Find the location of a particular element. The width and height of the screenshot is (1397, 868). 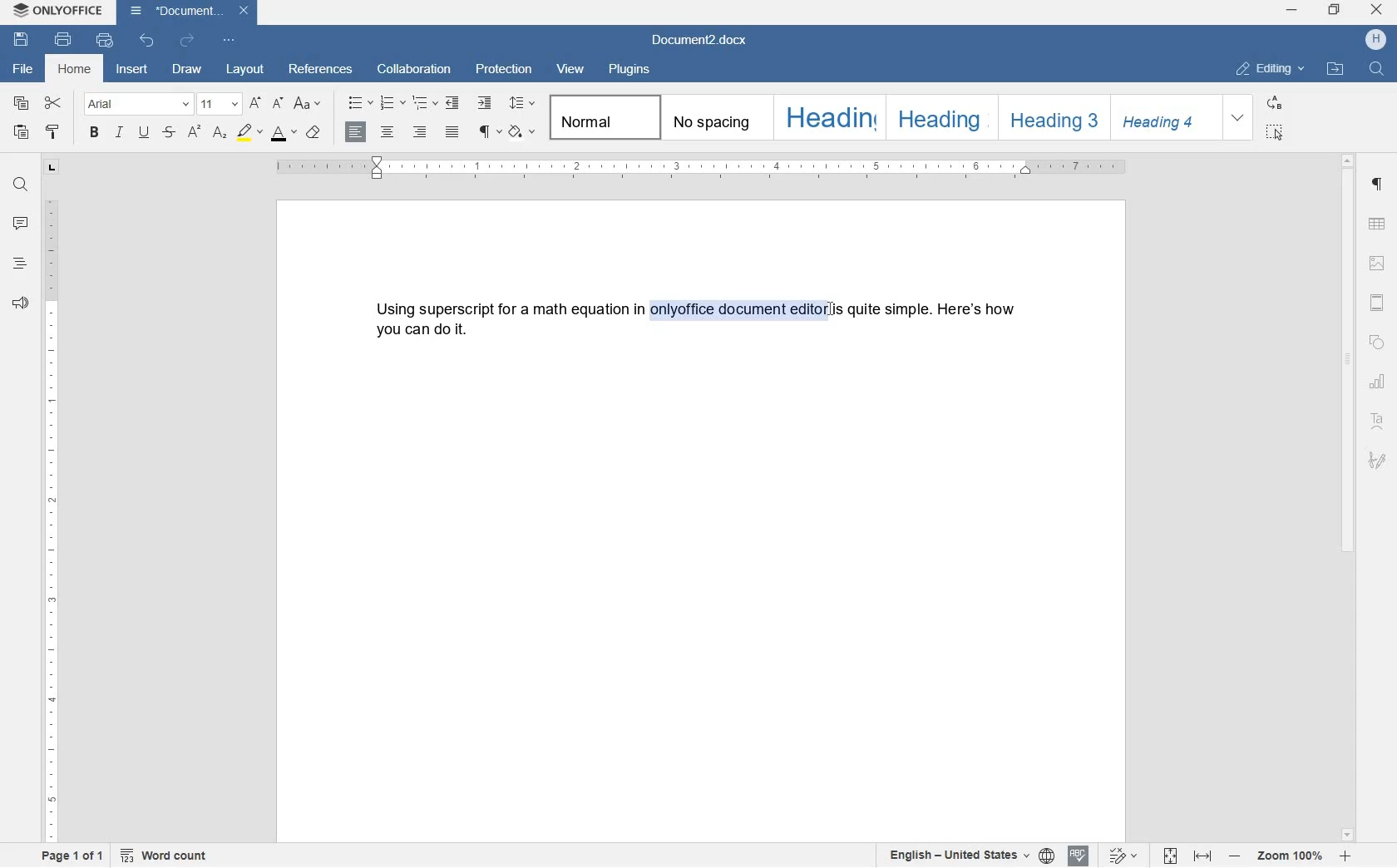

cut is located at coordinates (54, 102).